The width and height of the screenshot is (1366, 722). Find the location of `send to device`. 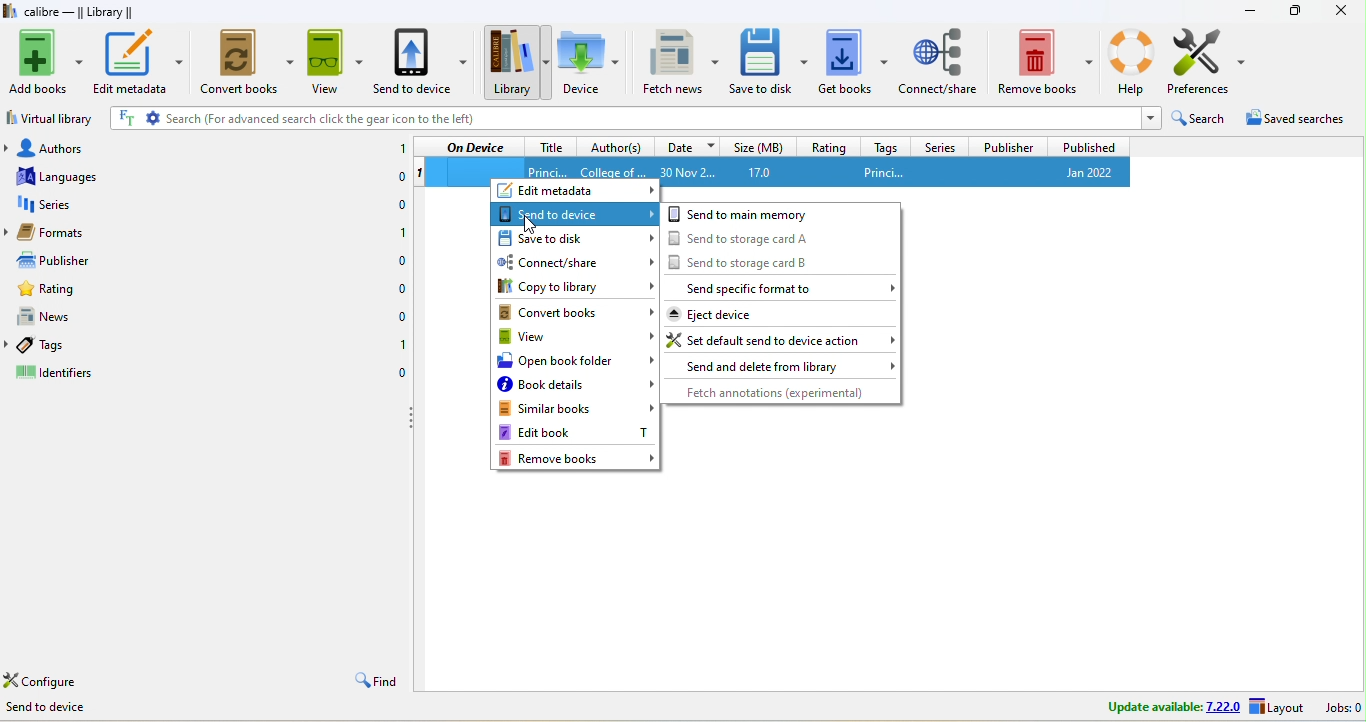

send to device is located at coordinates (575, 212).